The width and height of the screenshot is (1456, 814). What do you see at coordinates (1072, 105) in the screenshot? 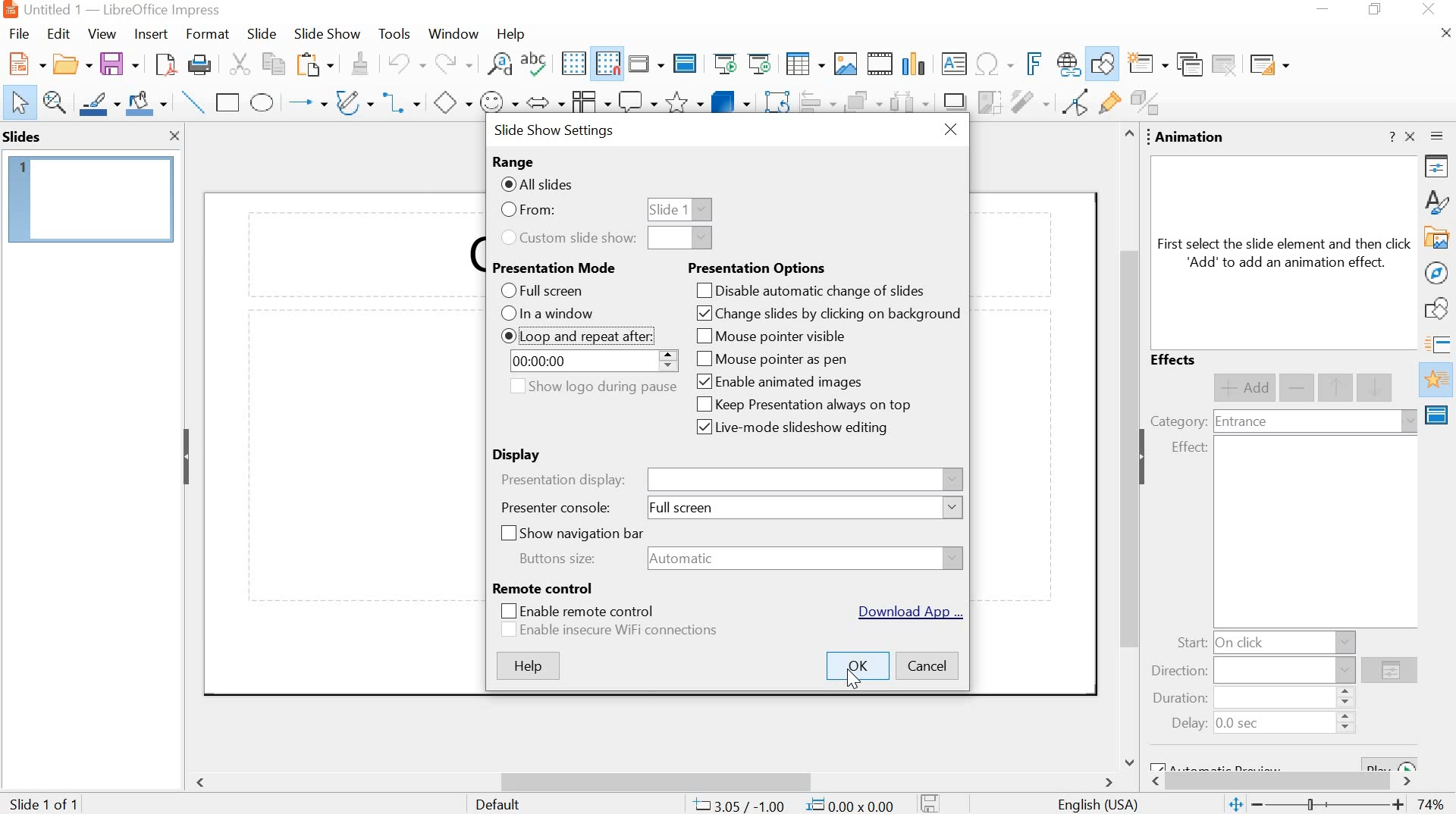
I see `toggle point edit mode` at bounding box center [1072, 105].